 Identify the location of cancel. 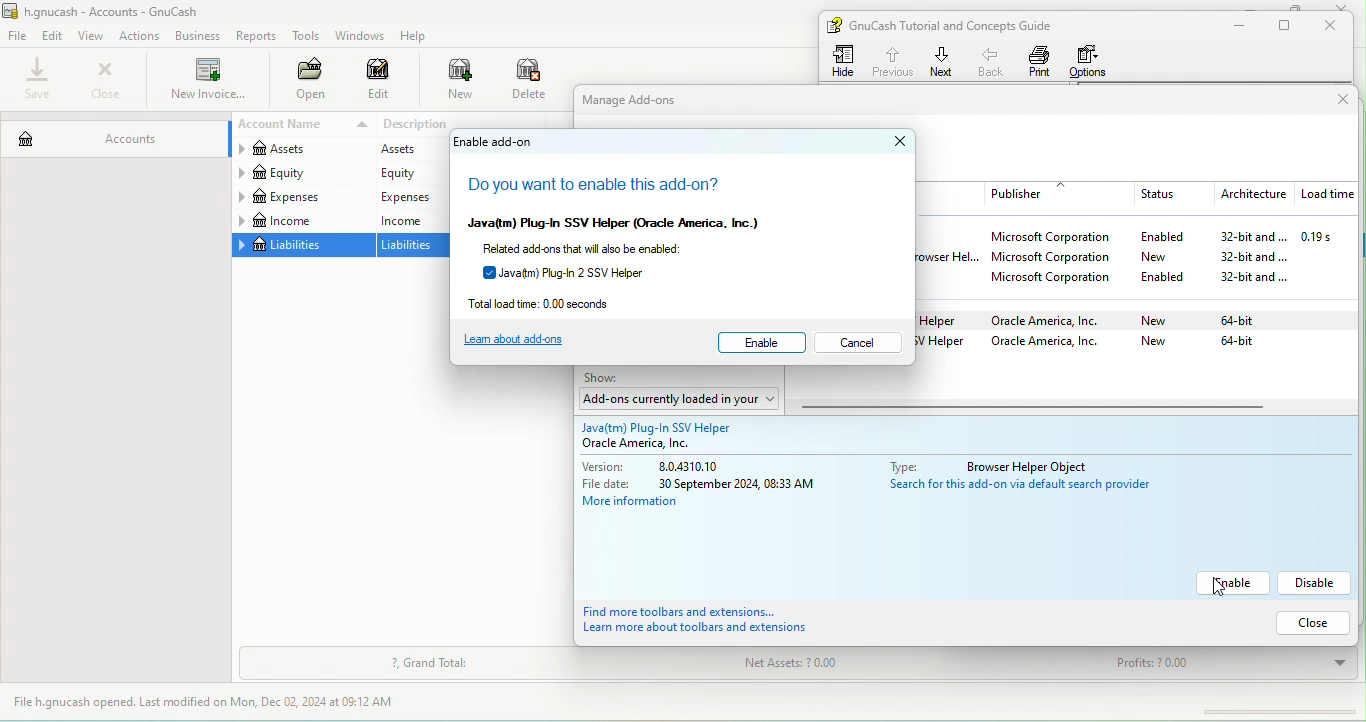
(864, 344).